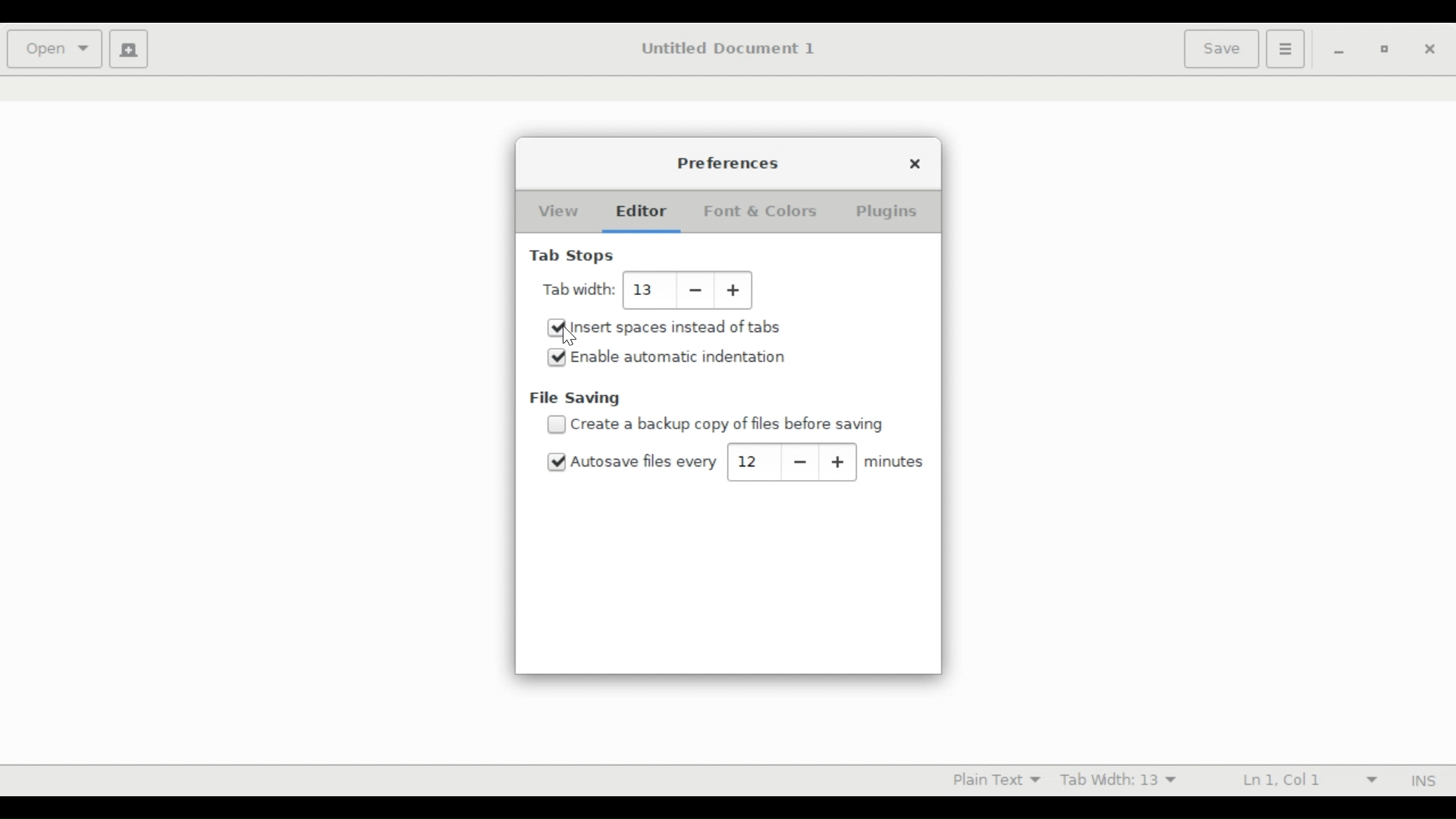 The image size is (1456, 819). I want to click on Font & Colors, so click(761, 211).